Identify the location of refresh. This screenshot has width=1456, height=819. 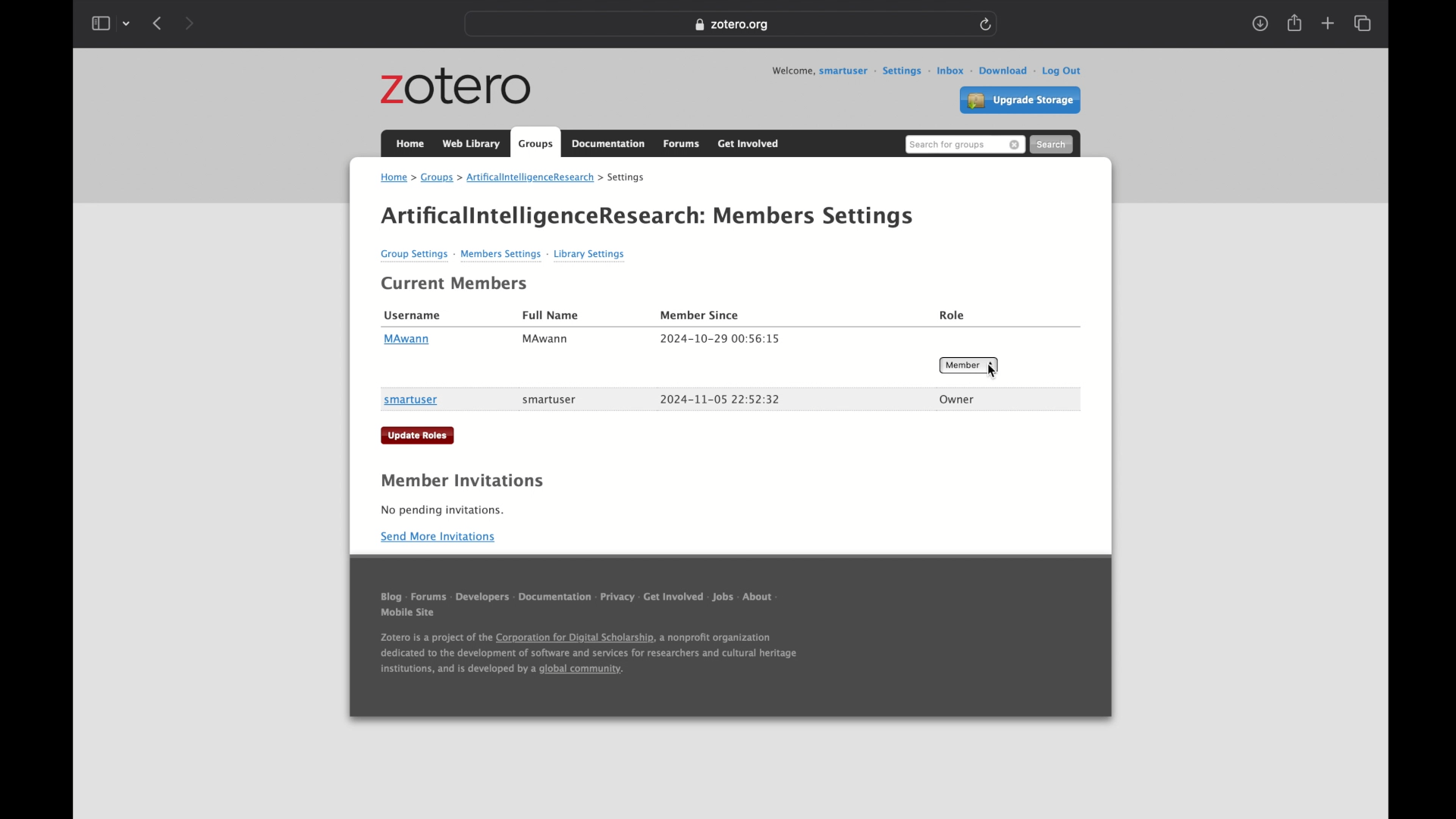
(987, 24).